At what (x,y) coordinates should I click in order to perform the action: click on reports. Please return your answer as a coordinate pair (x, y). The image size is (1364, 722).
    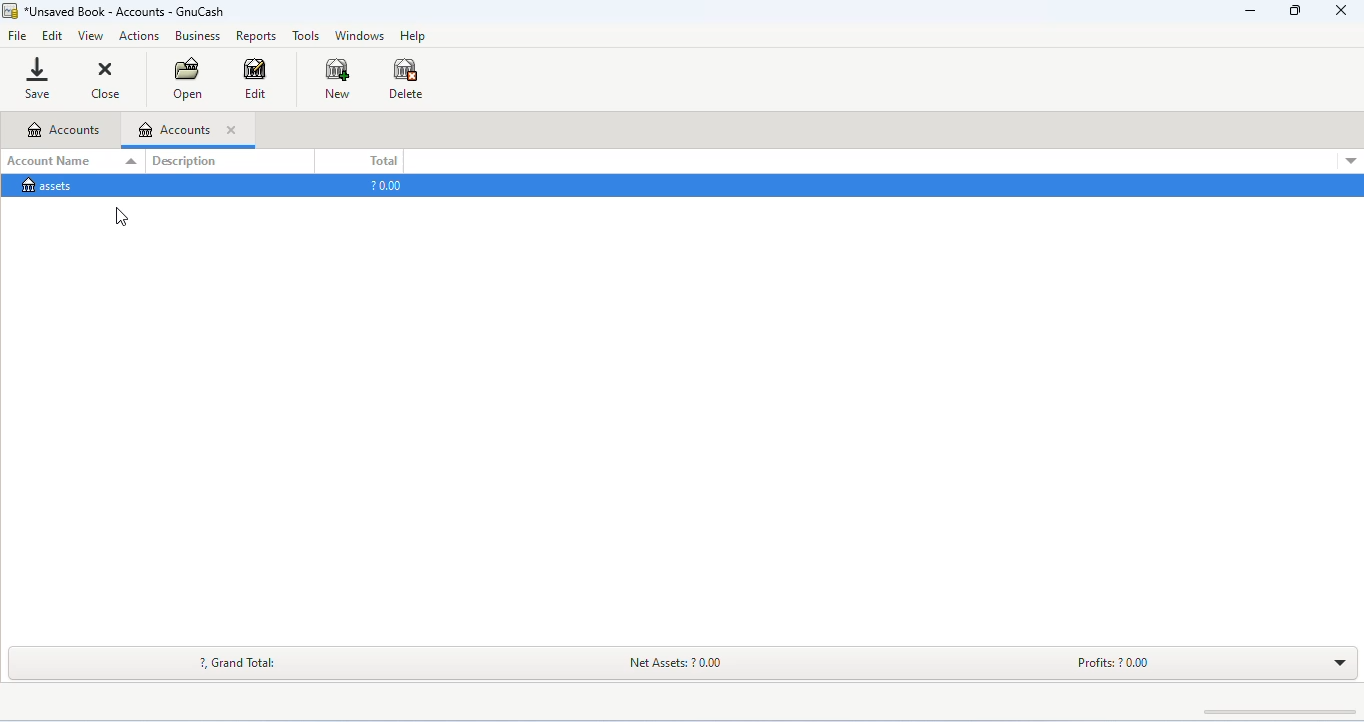
    Looking at the image, I should click on (257, 37).